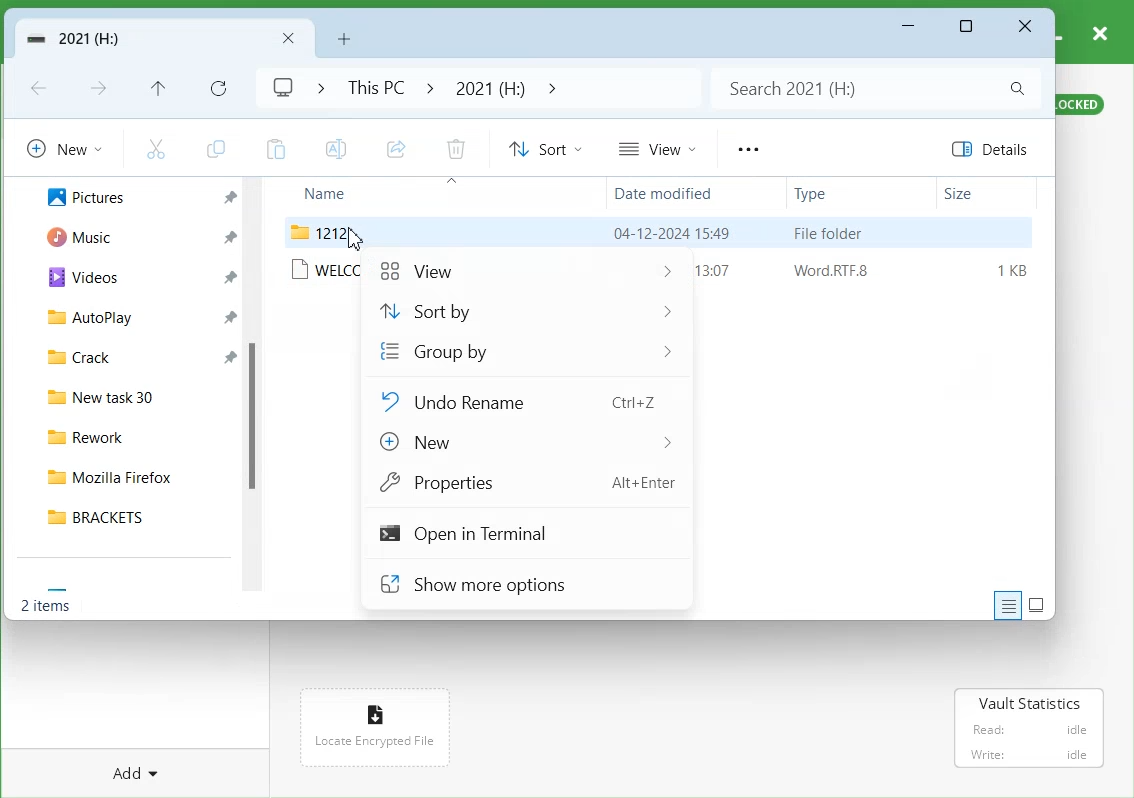 This screenshot has height=798, width=1134. I want to click on Undo Rename, so click(527, 402).